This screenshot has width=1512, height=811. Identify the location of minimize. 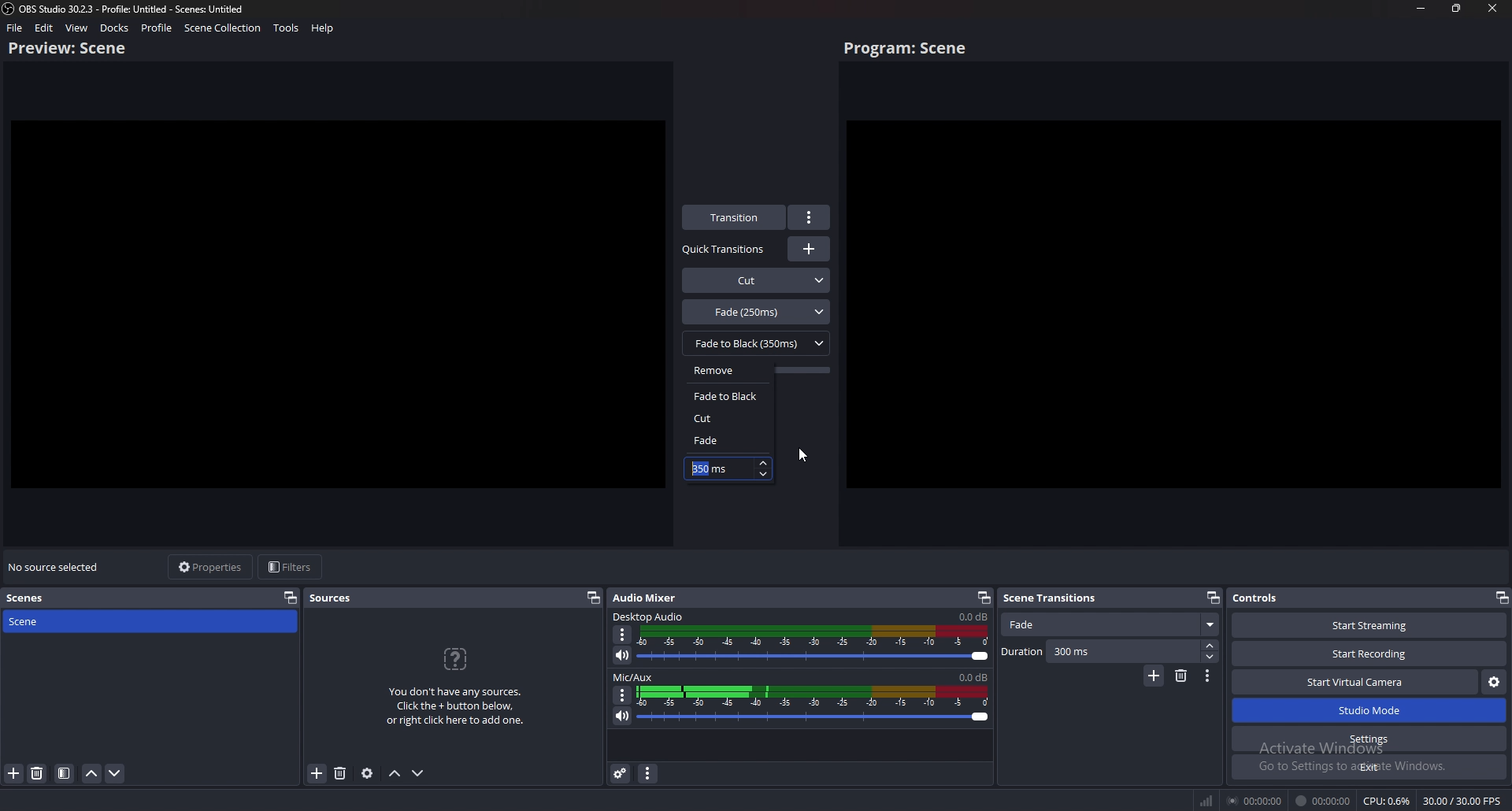
(1422, 8).